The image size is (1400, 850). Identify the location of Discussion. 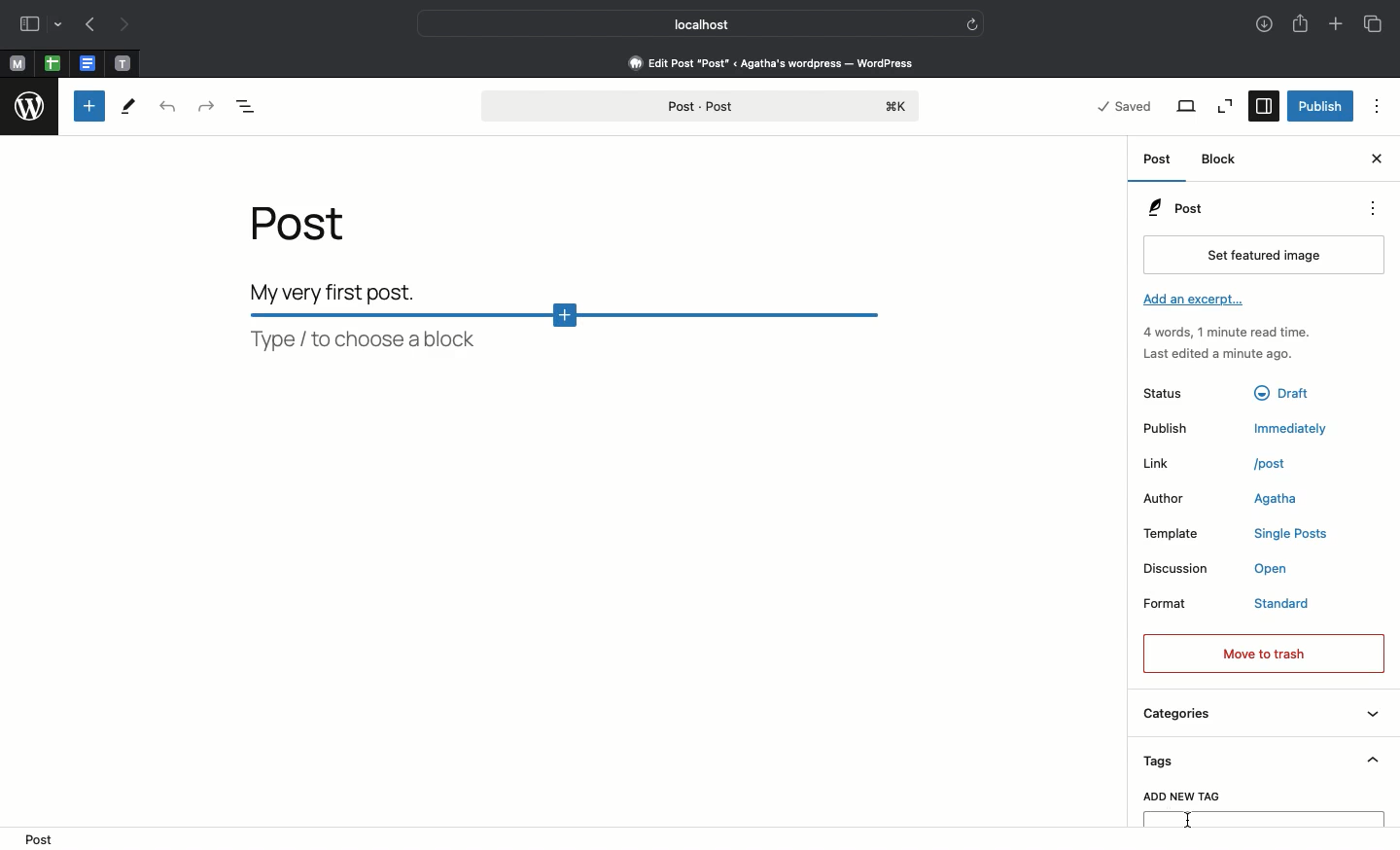
(1174, 568).